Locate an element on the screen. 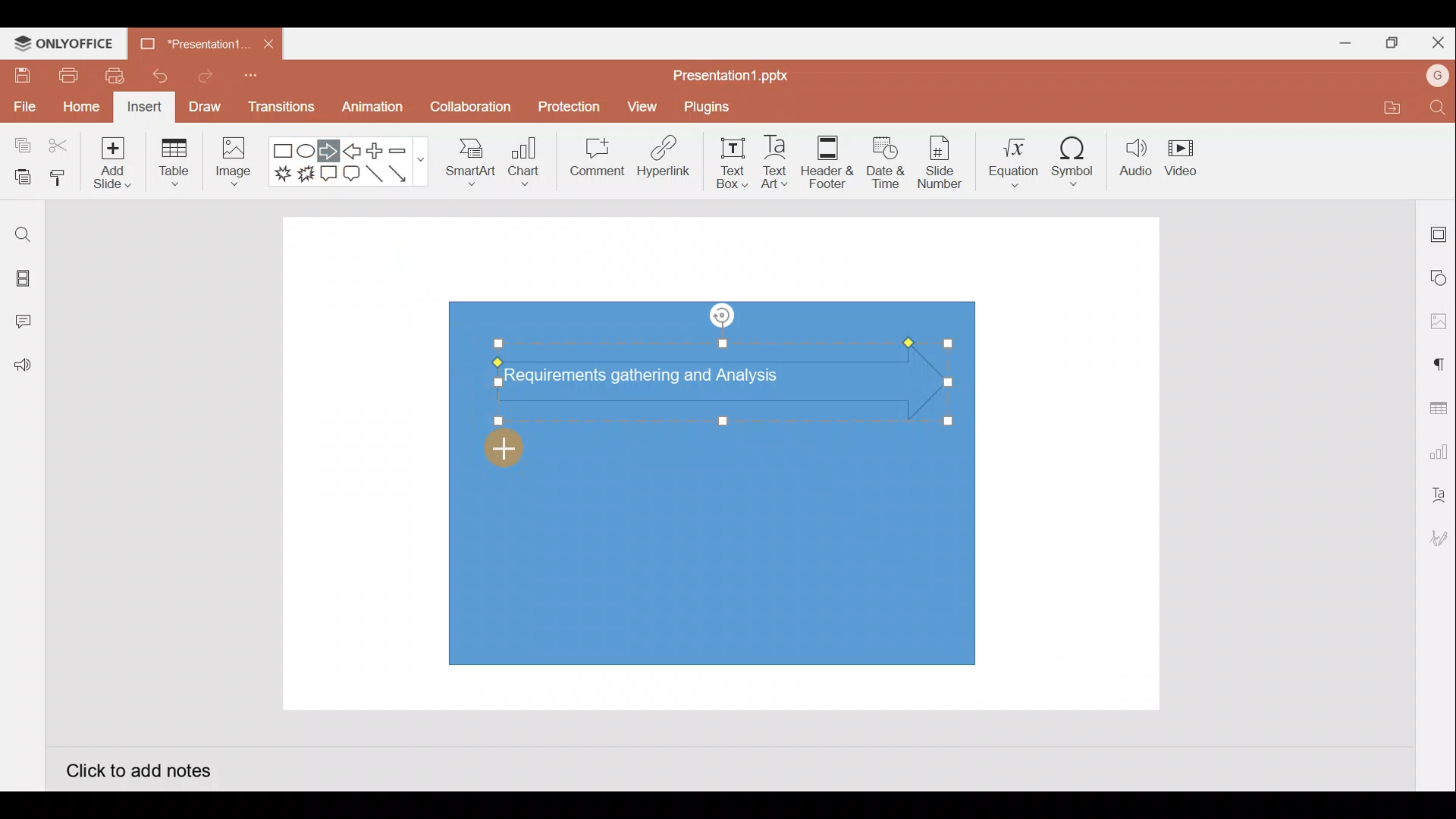 This screenshot has width=1456, height=819. Home is located at coordinates (81, 108).